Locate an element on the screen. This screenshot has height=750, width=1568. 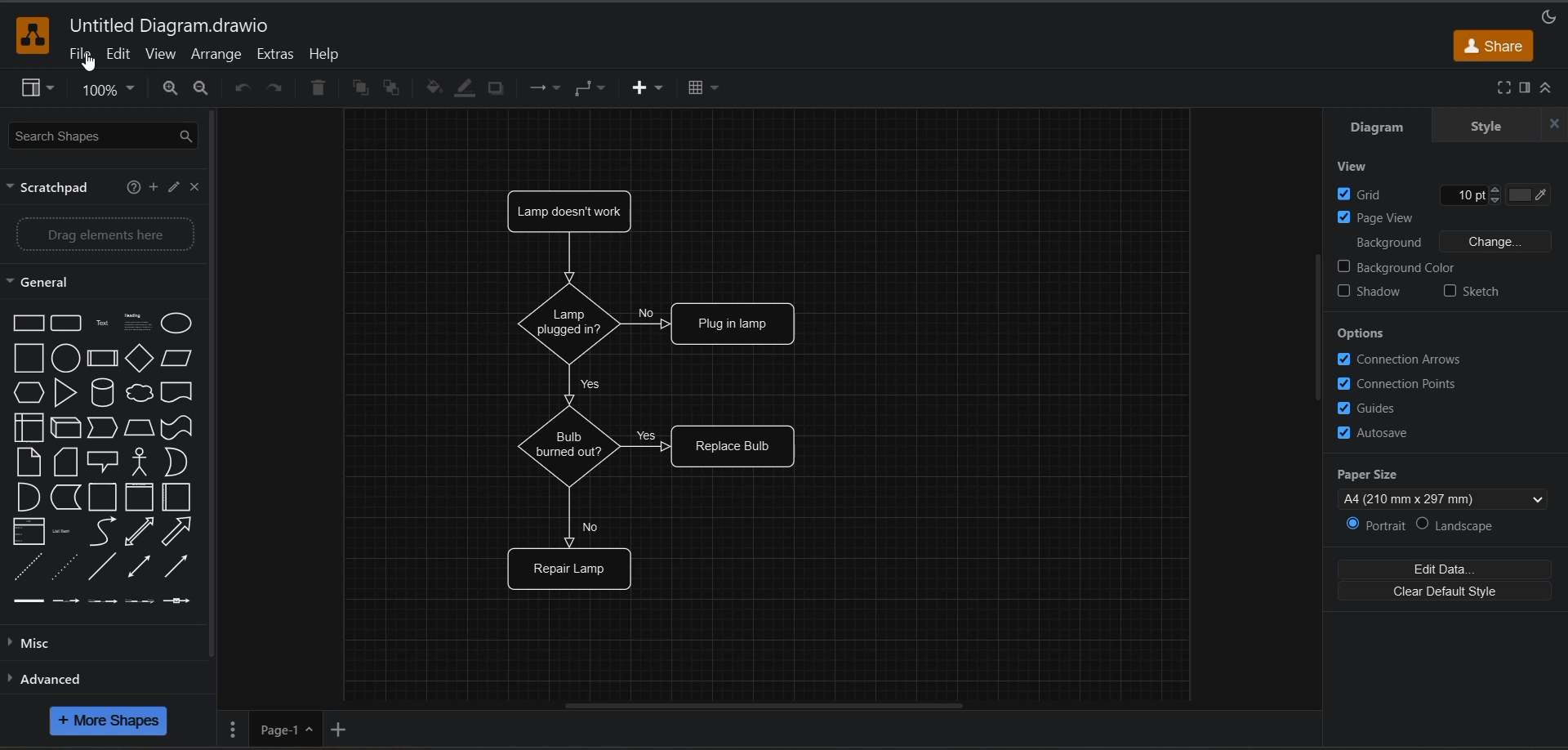
table is located at coordinates (701, 87).